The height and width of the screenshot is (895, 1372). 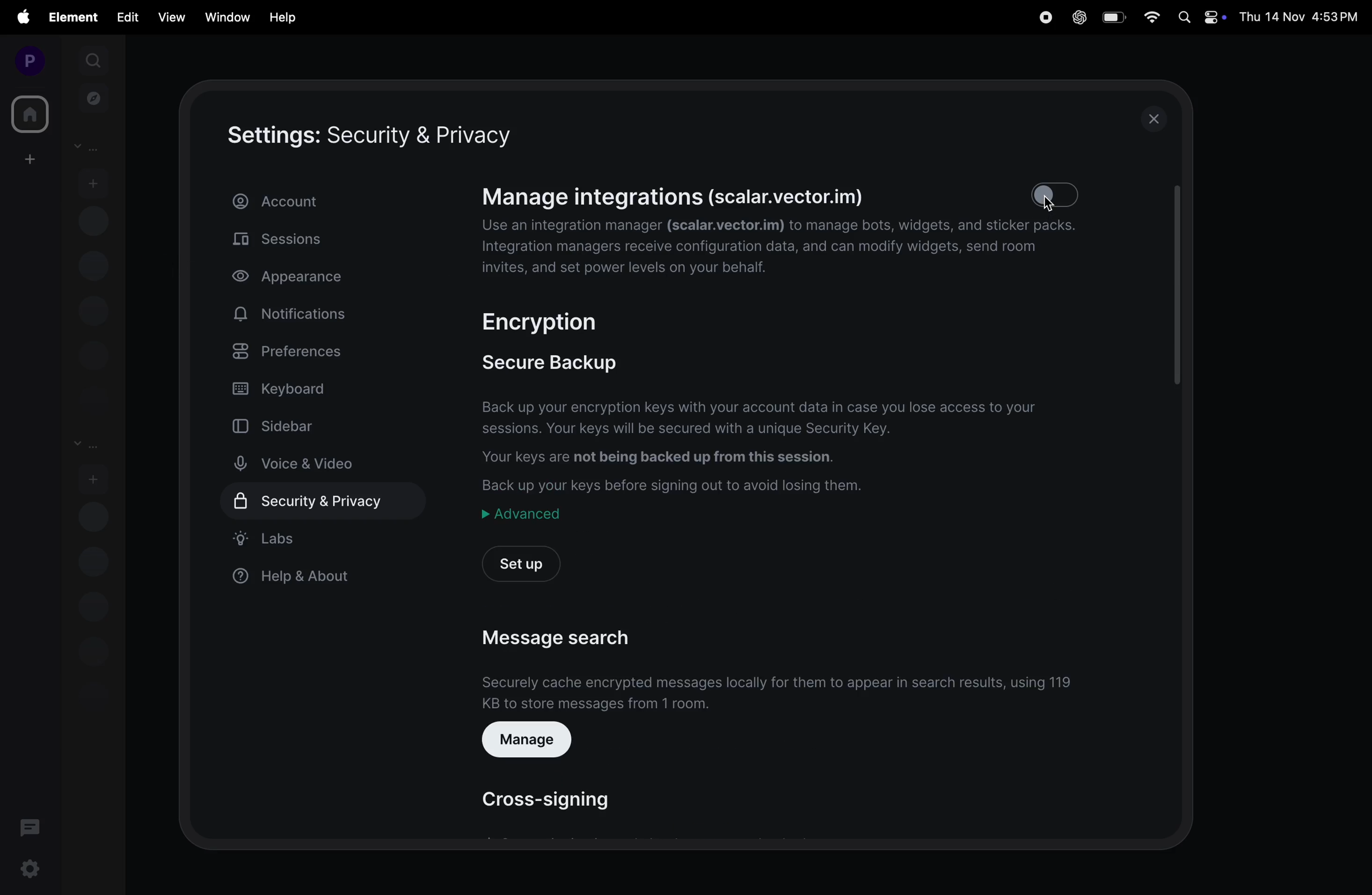 I want to click on cursor, so click(x=1050, y=205).